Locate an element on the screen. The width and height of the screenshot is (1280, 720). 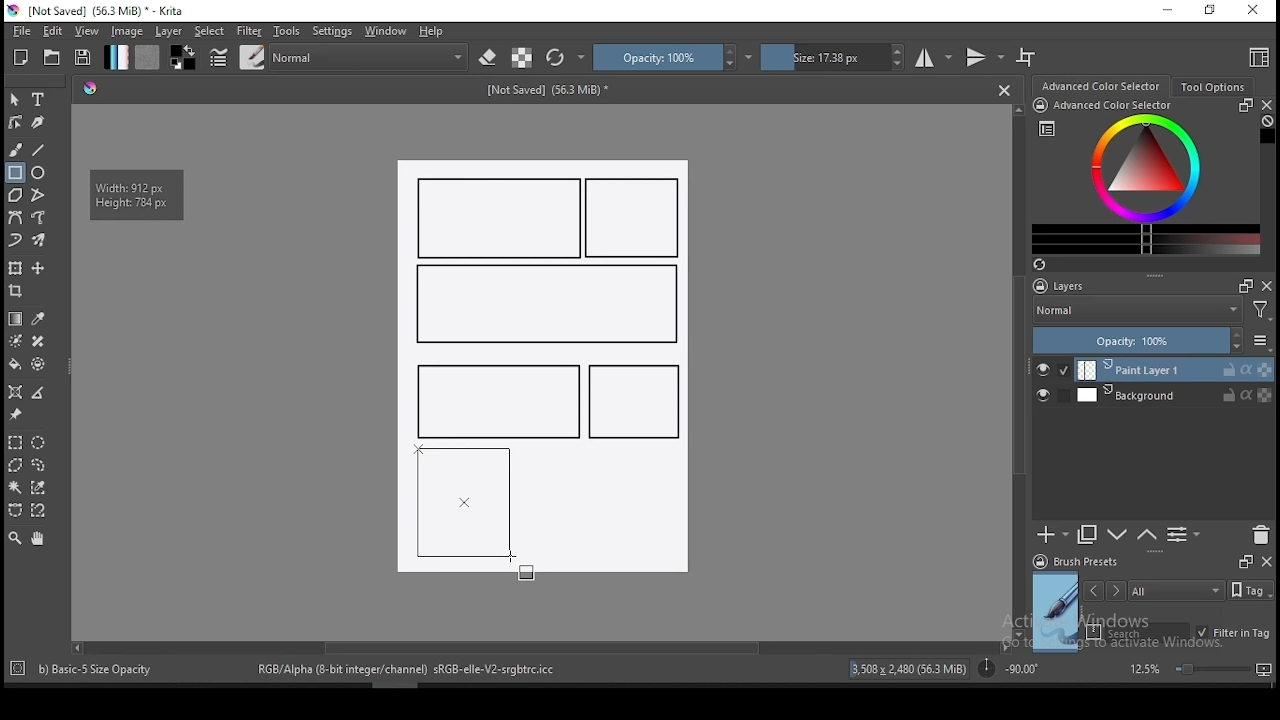
colors is located at coordinates (183, 57).